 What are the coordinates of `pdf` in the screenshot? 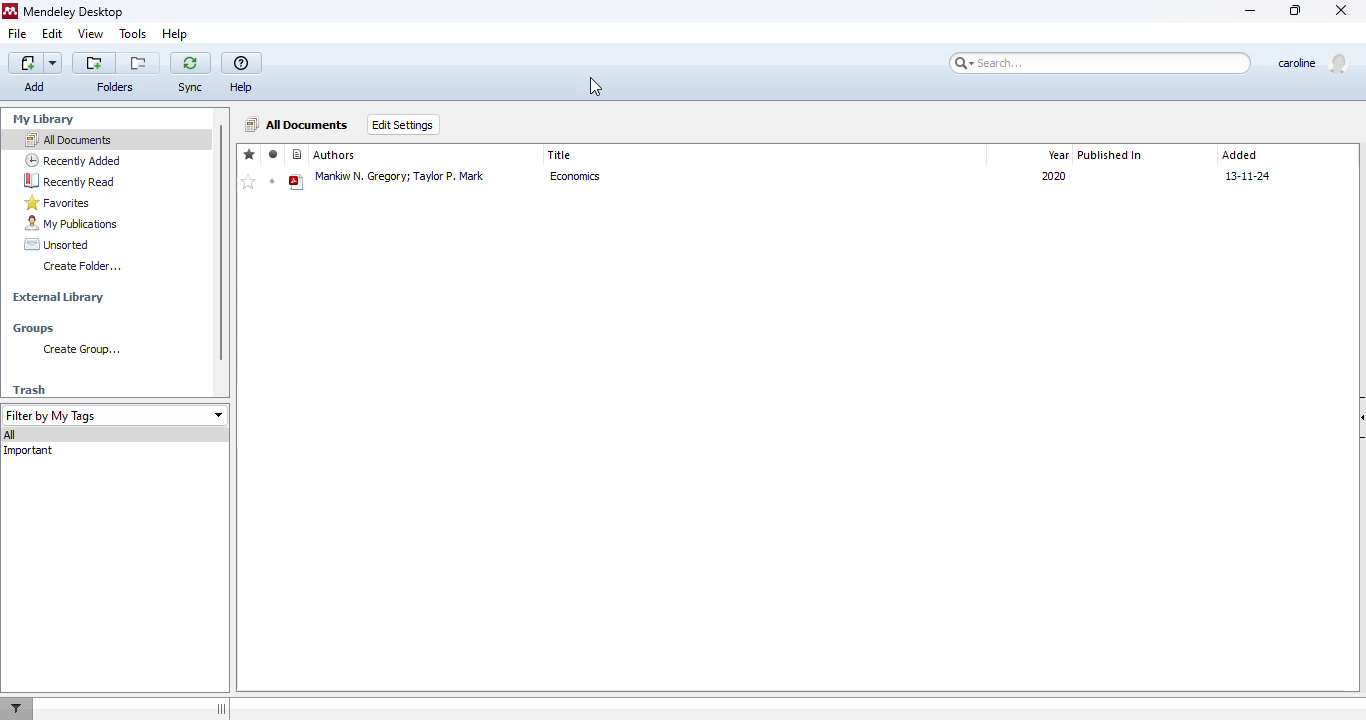 It's located at (297, 183).